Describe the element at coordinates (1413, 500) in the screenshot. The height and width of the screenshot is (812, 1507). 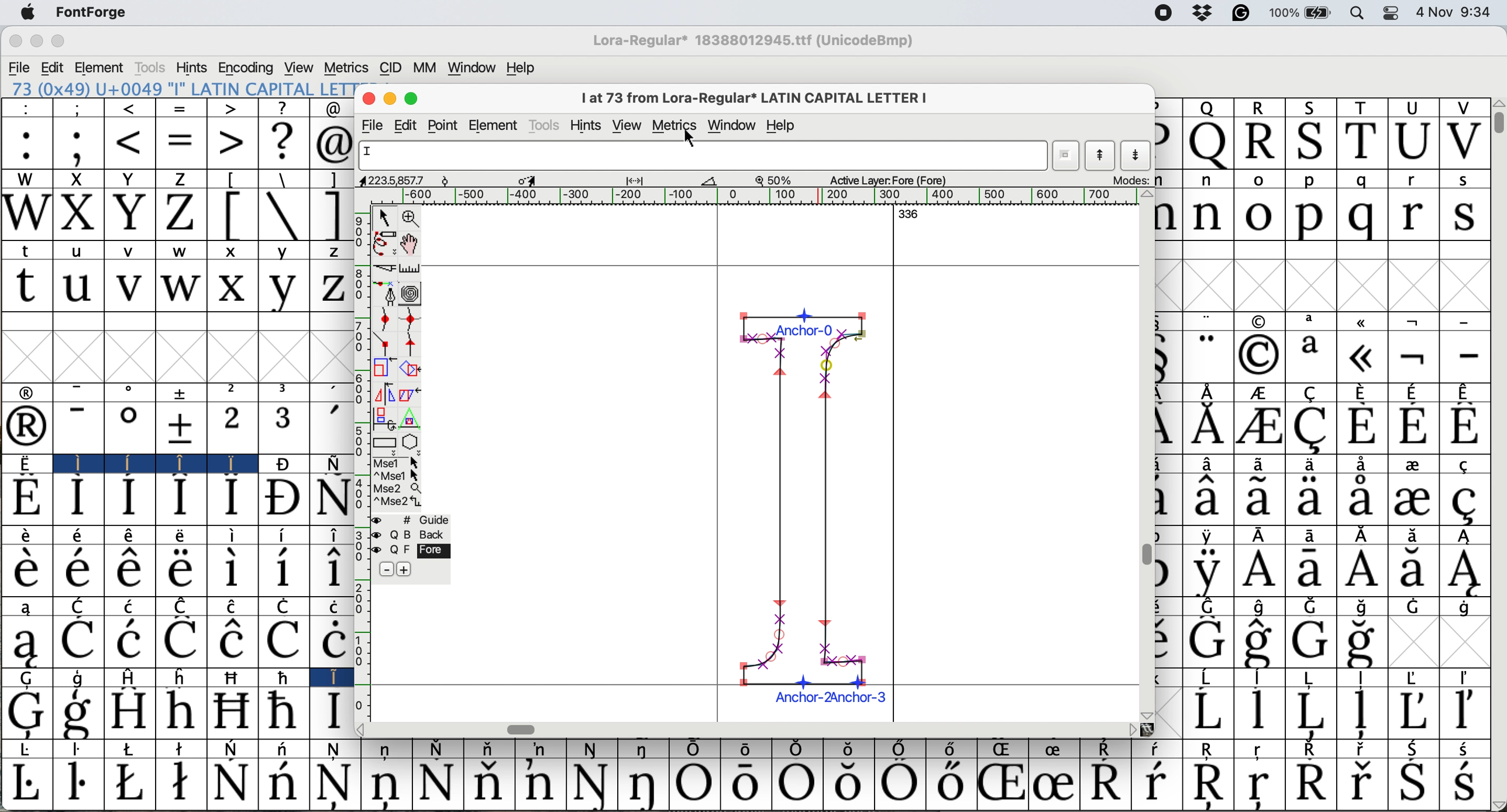
I see `Symbol` at that location.